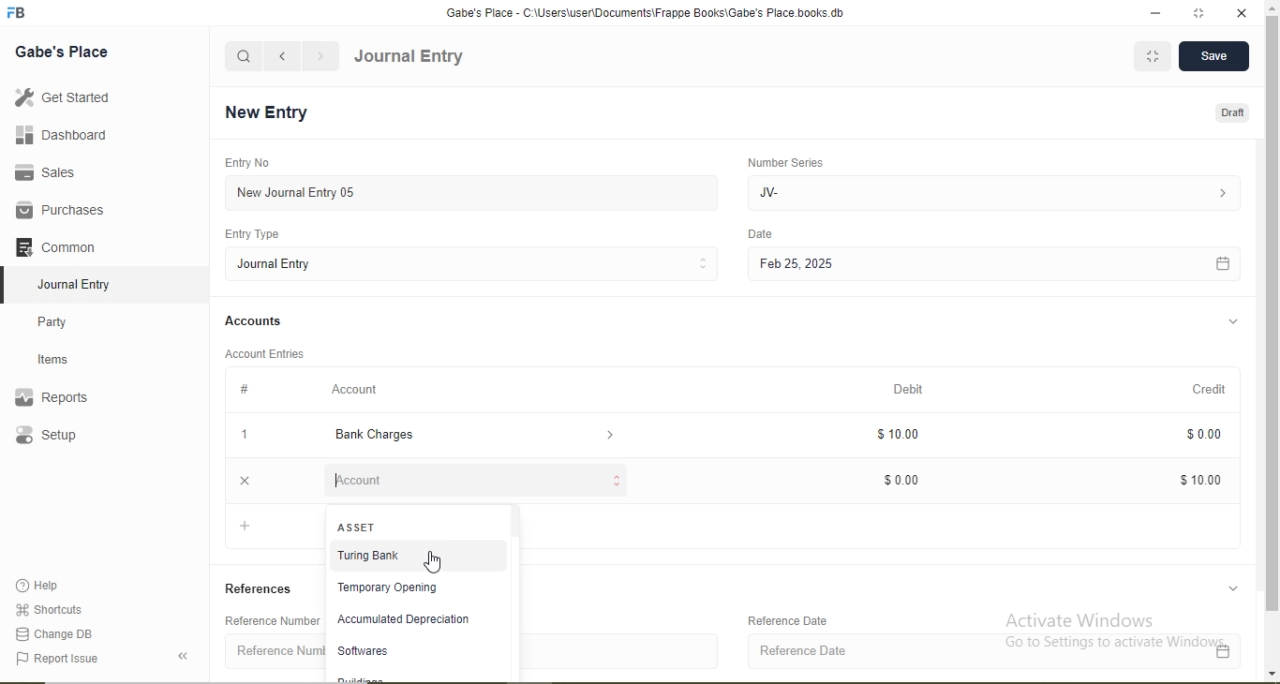 The image size is (1280, 684). I want to click on Change DB, so click(55, 633).